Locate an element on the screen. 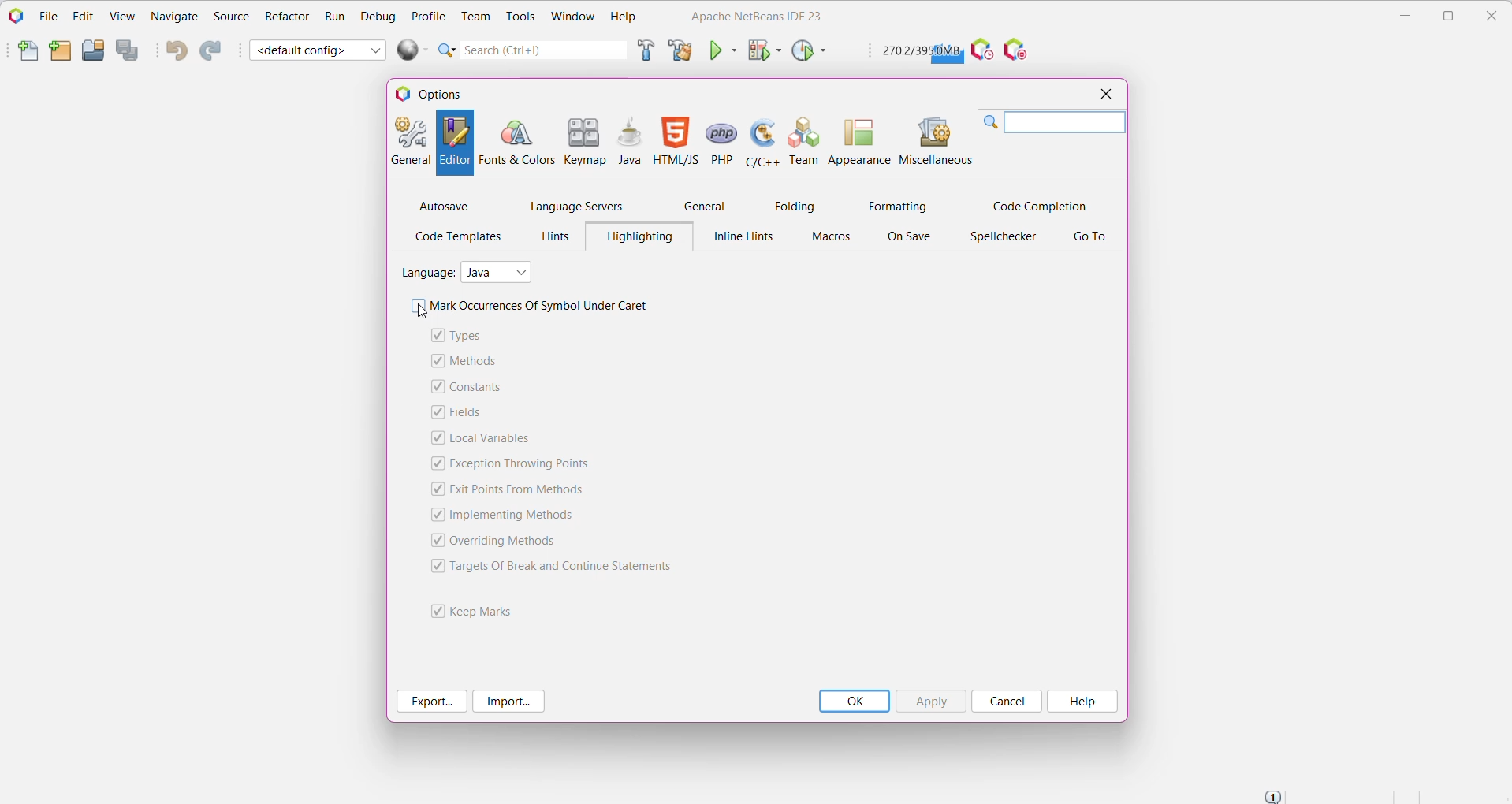  Source is located at coordinates (230, 17).